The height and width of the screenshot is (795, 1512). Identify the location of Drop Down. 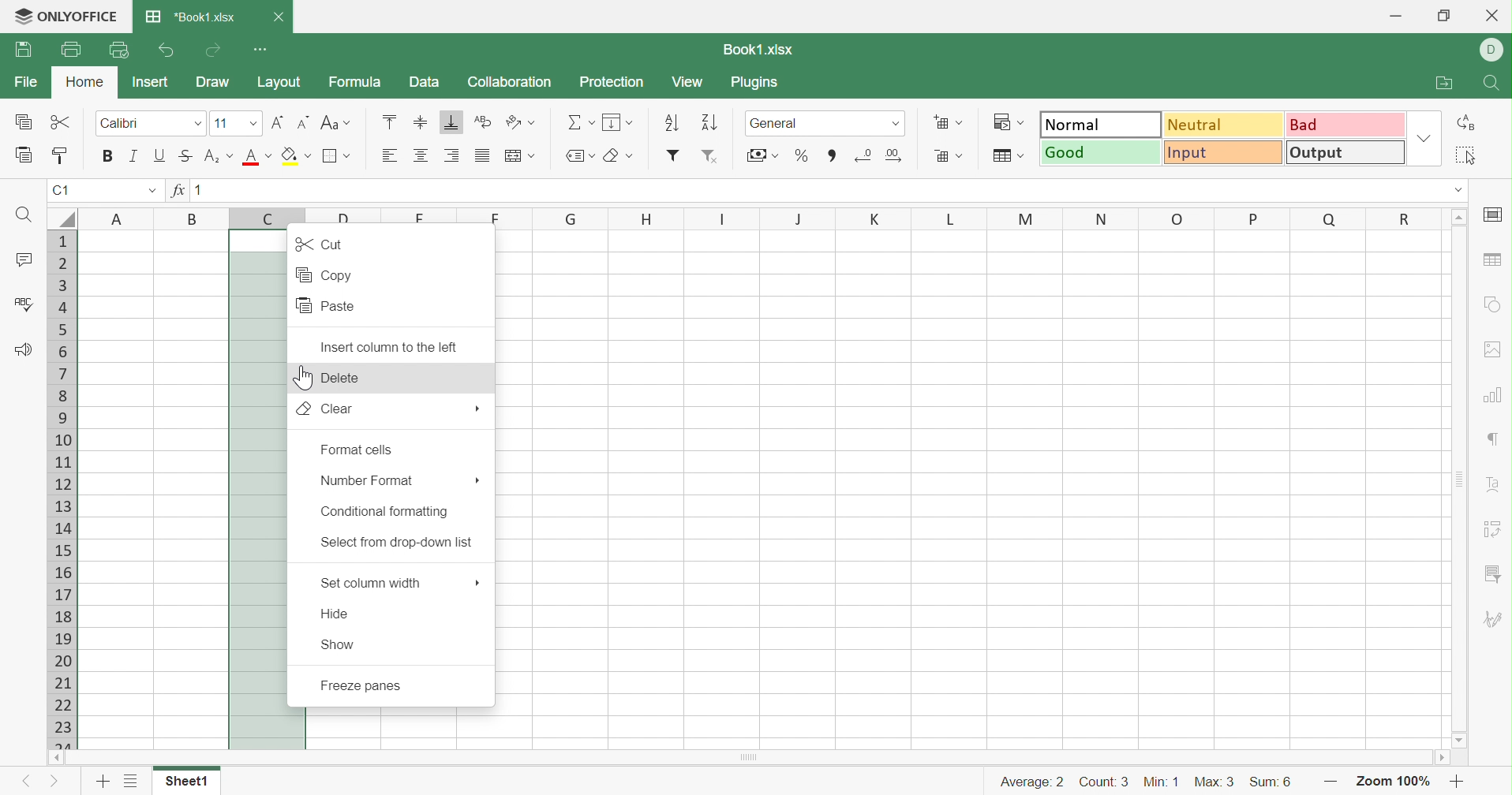
(1025, 155).